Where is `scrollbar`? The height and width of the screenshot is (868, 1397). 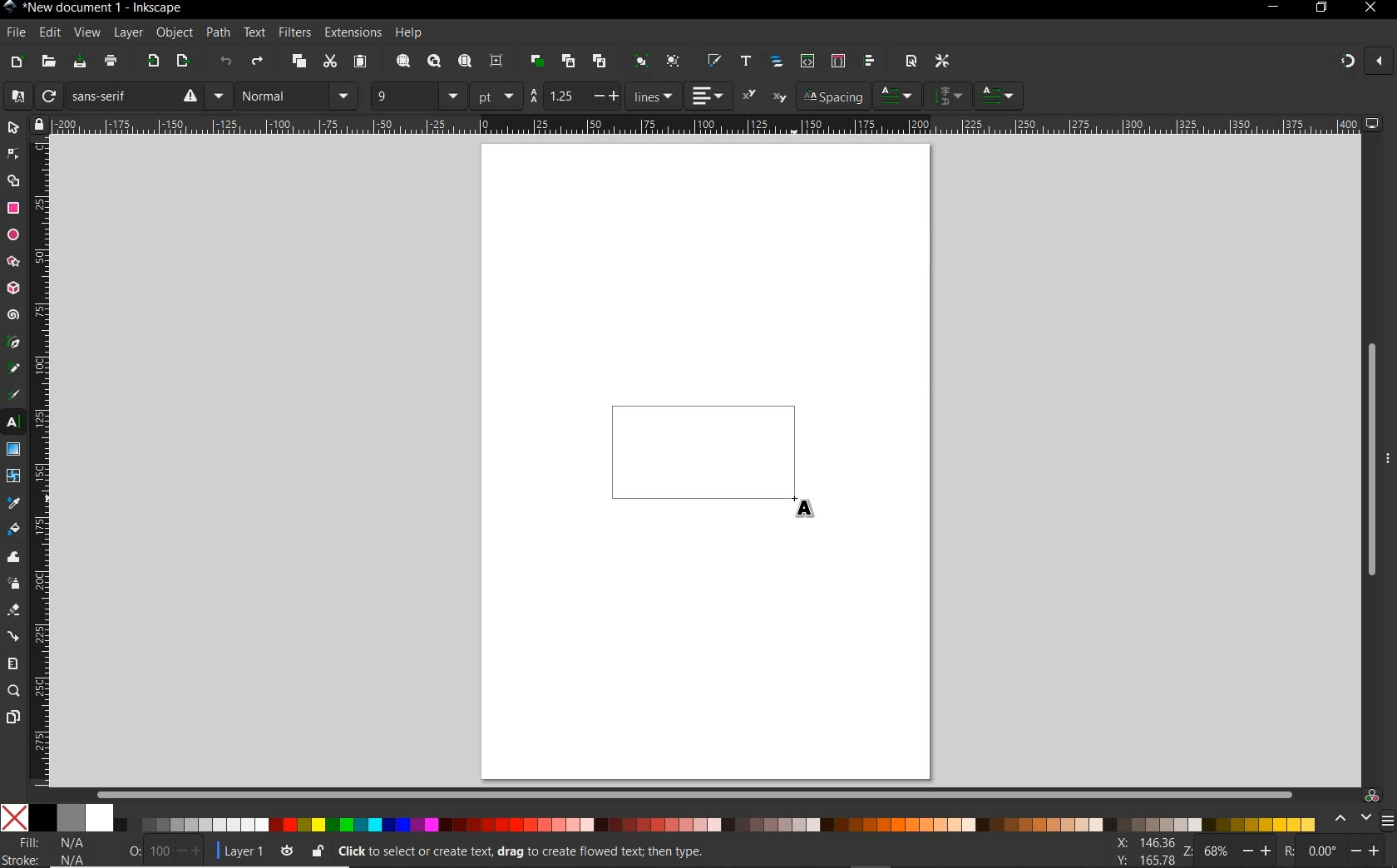
scrollbar is located at coordinates (696, 794).